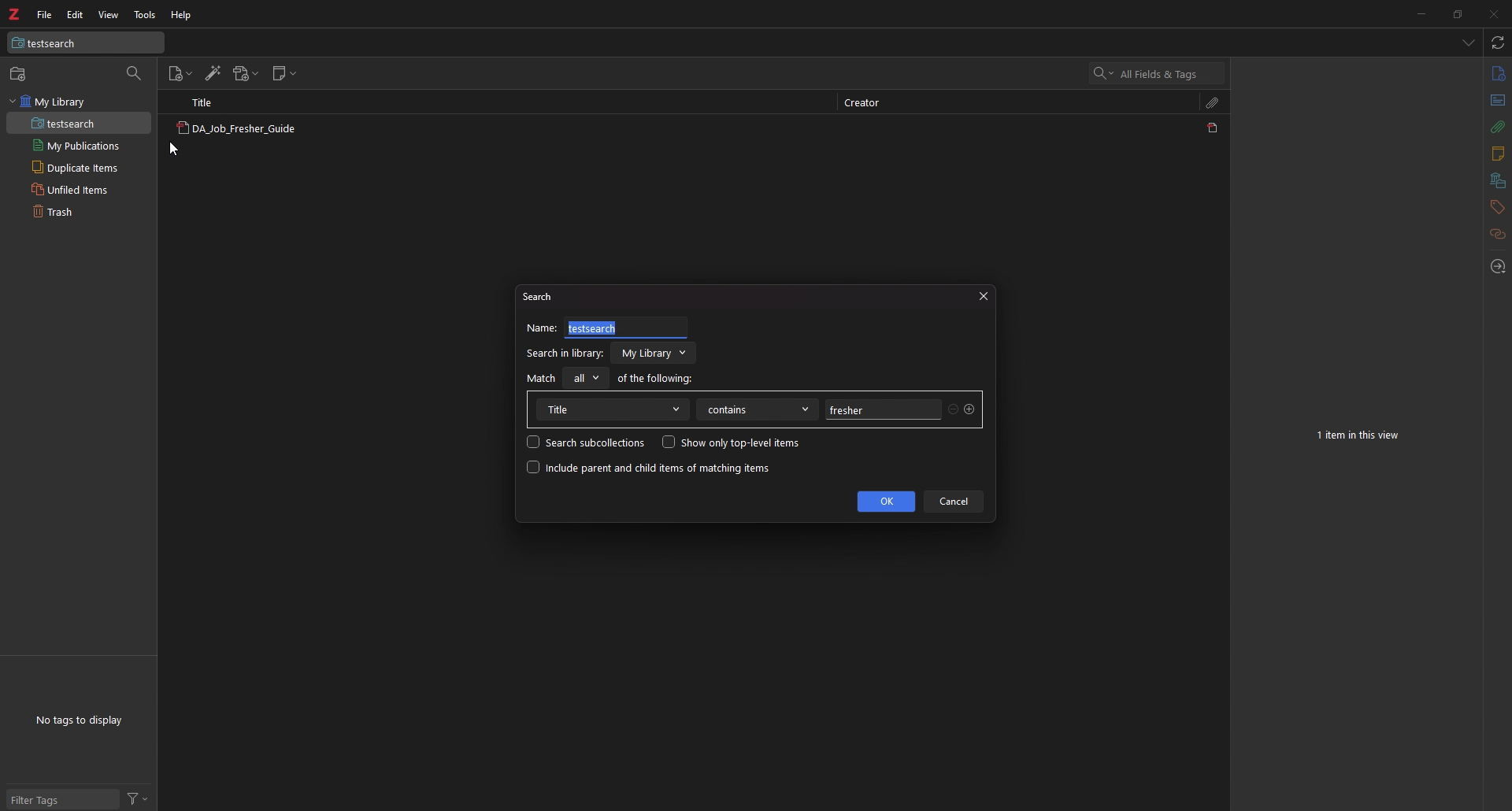 Image resolution: width=1512 pixels, height=811 pixels. Describe the element at coordinates (138, 798) in the screenshot. I see `Filter` at that location.